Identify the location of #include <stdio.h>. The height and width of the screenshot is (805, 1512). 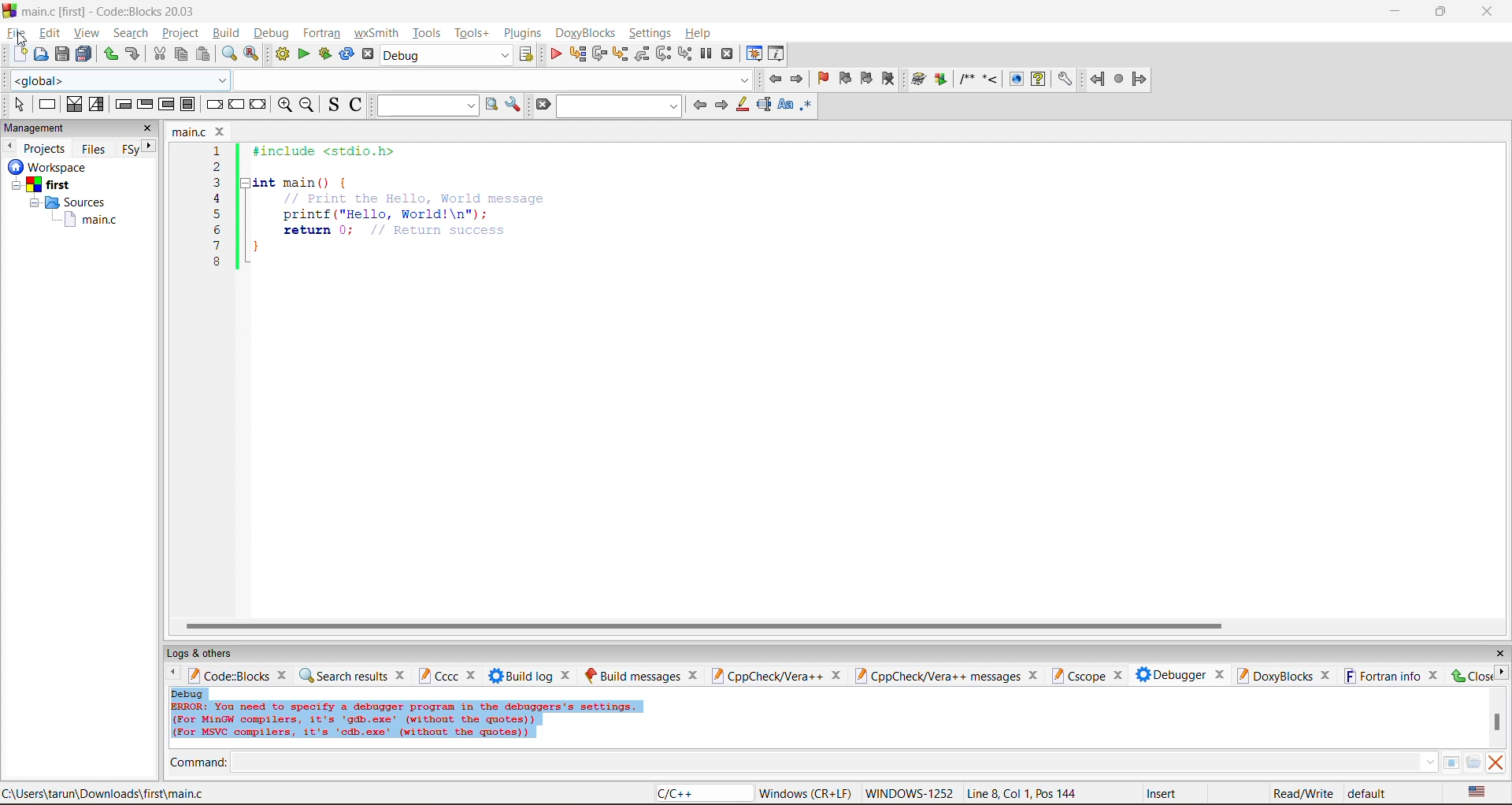
(334, 151).